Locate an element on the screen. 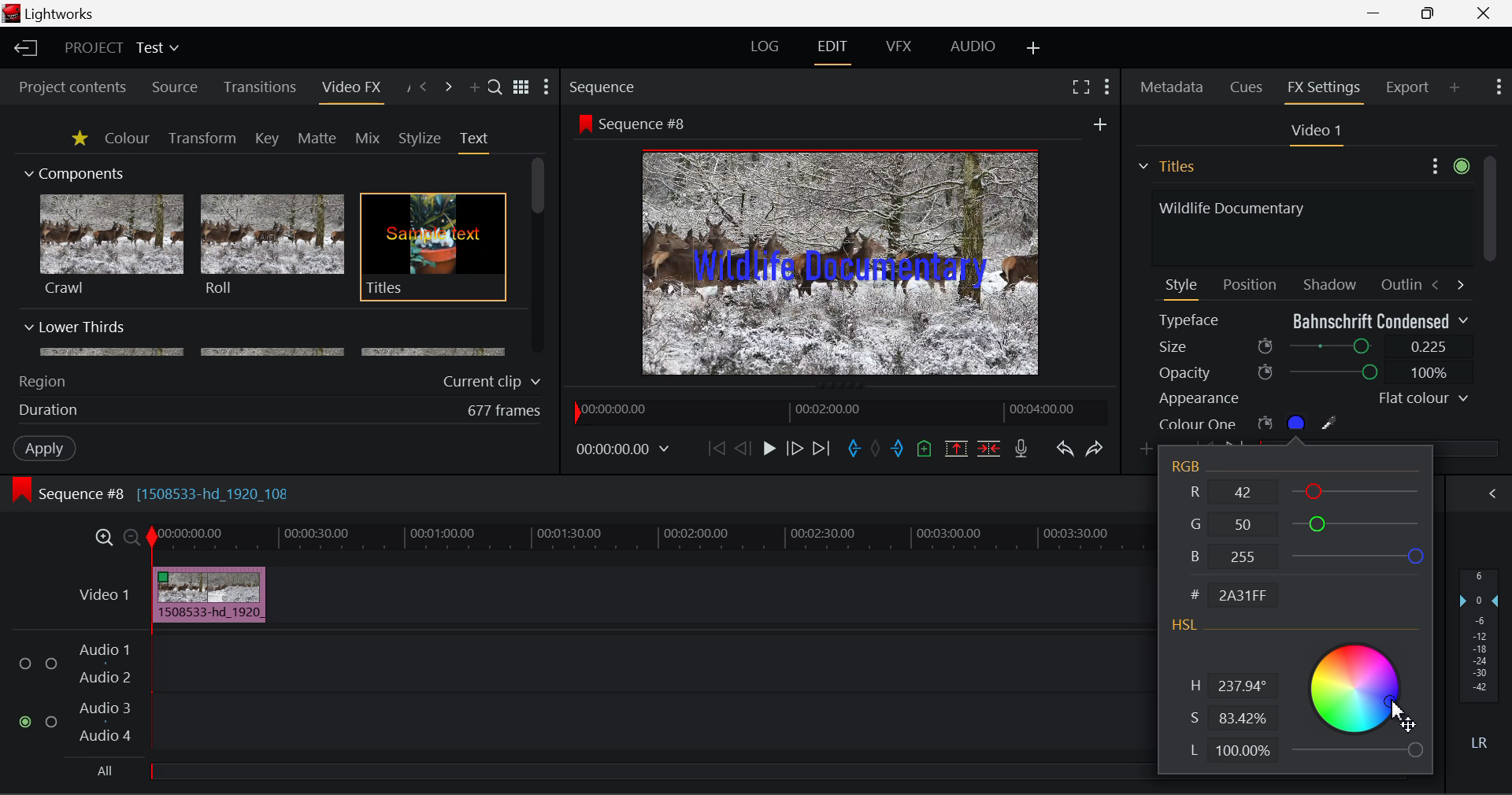 This screenshot has height=795, width=1512. H is located at coordinates (1232, 687).